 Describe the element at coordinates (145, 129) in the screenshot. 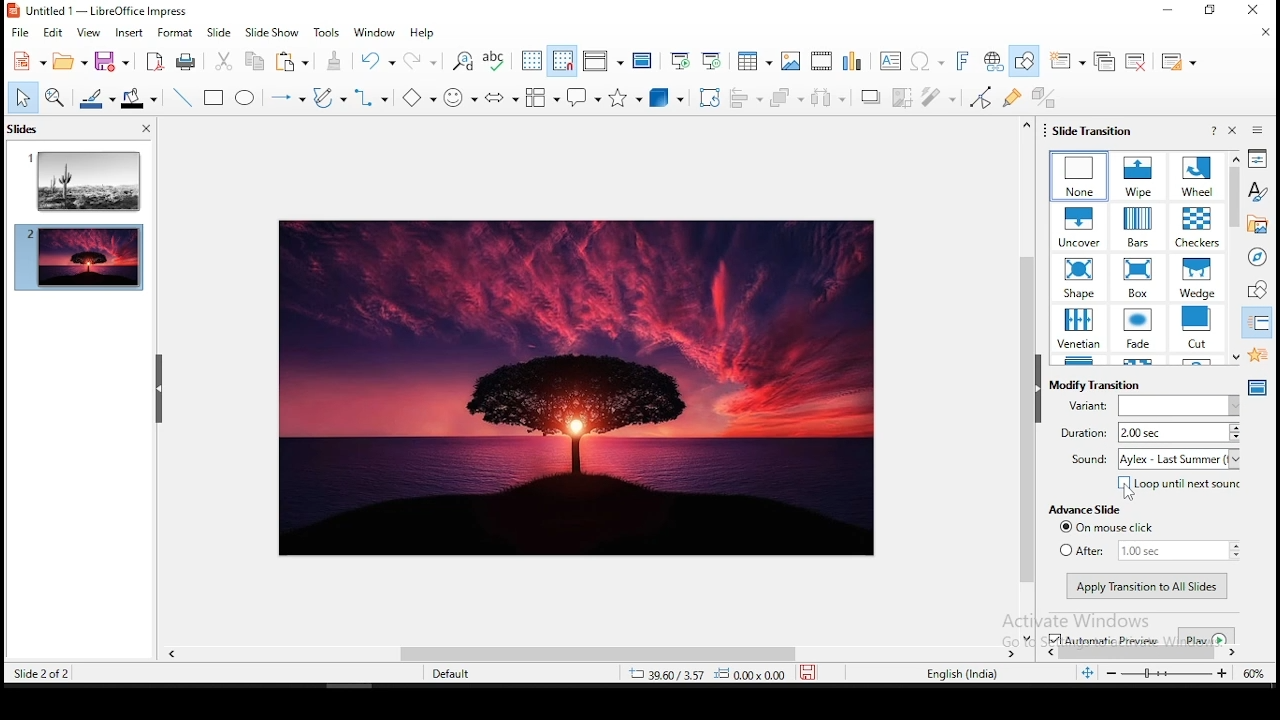

I see `close` at that location.